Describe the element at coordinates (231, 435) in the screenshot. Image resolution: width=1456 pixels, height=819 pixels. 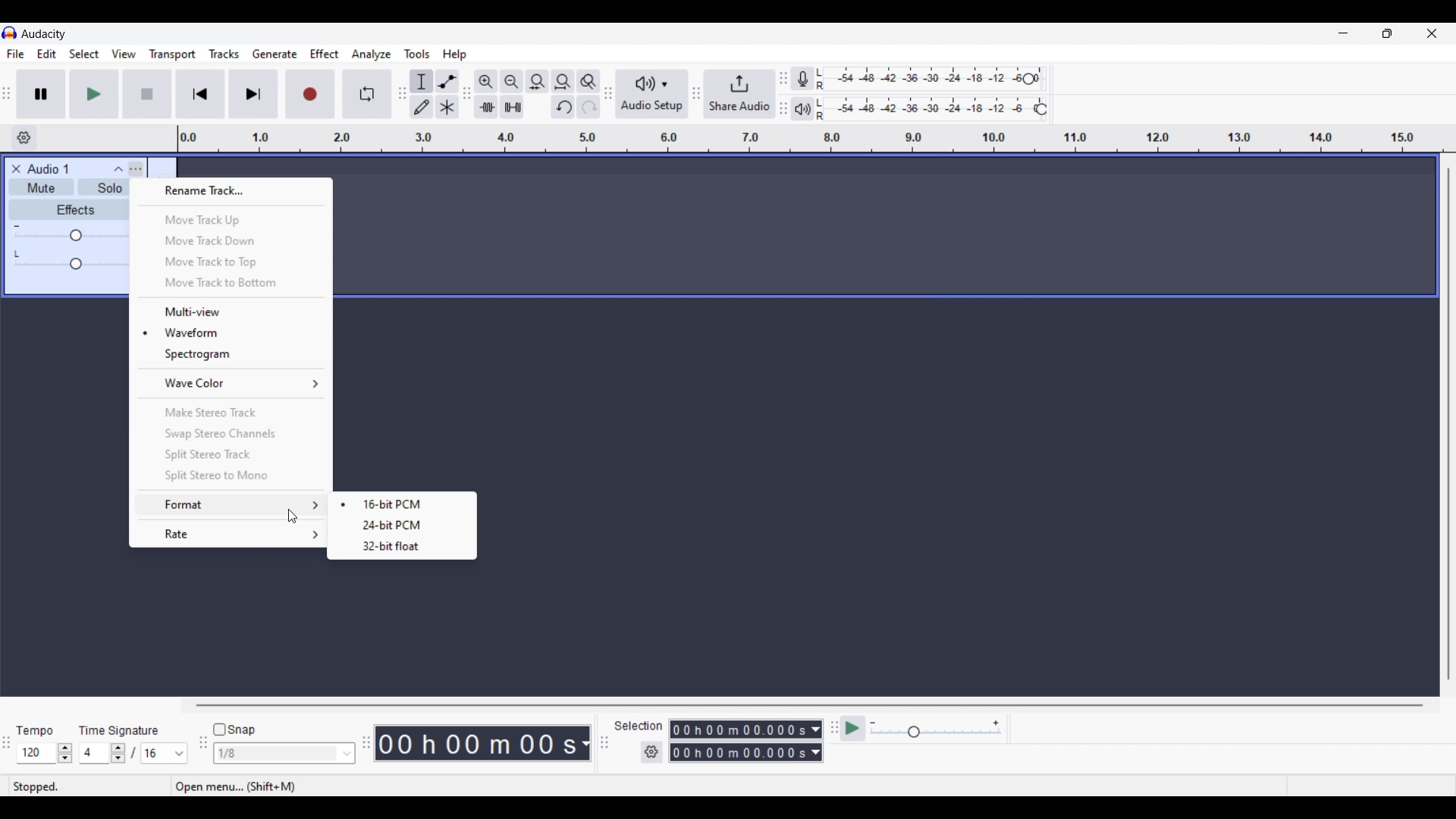
I see `Swap stereo channels` at that location.